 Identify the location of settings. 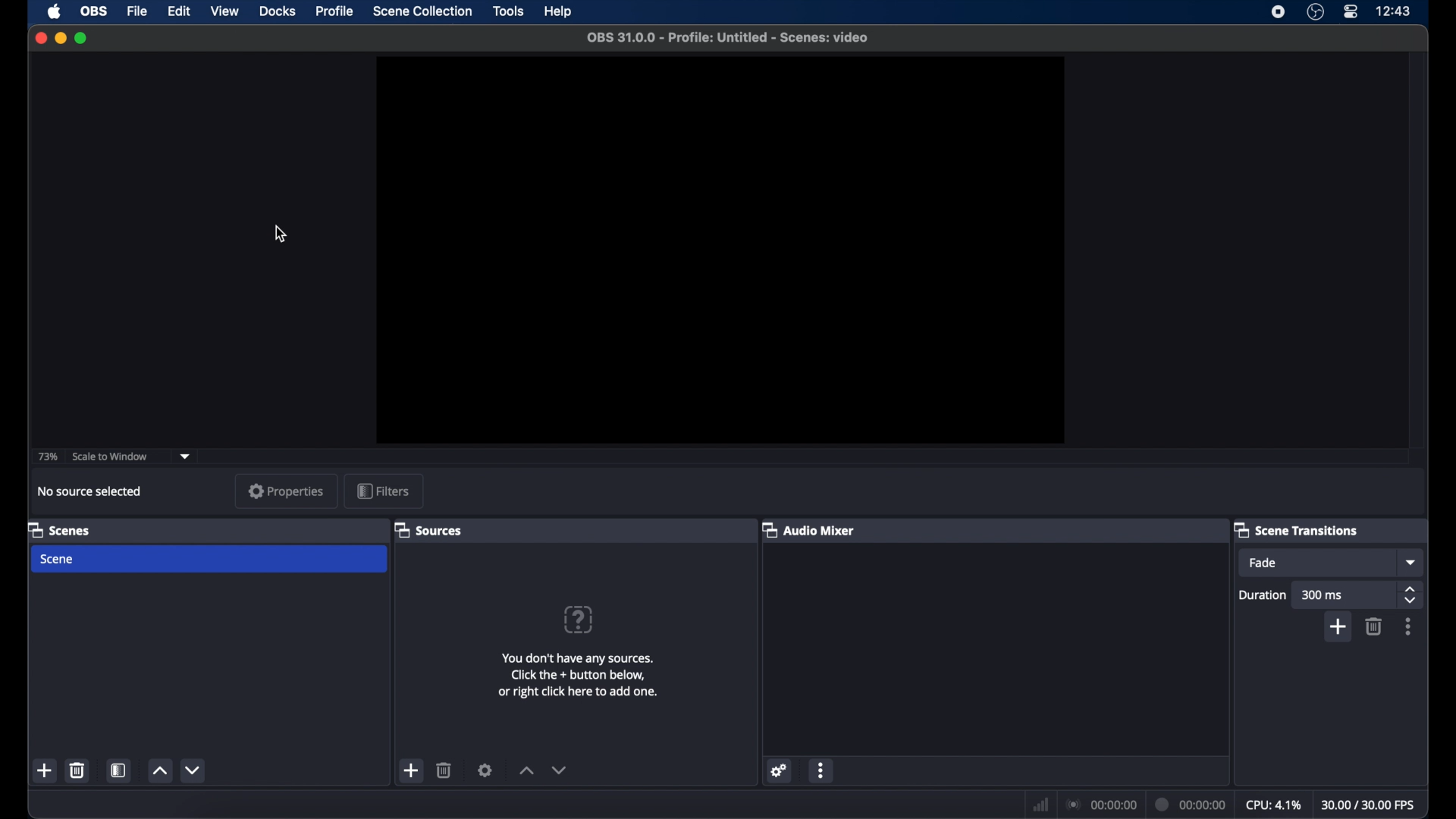
(779, 771).